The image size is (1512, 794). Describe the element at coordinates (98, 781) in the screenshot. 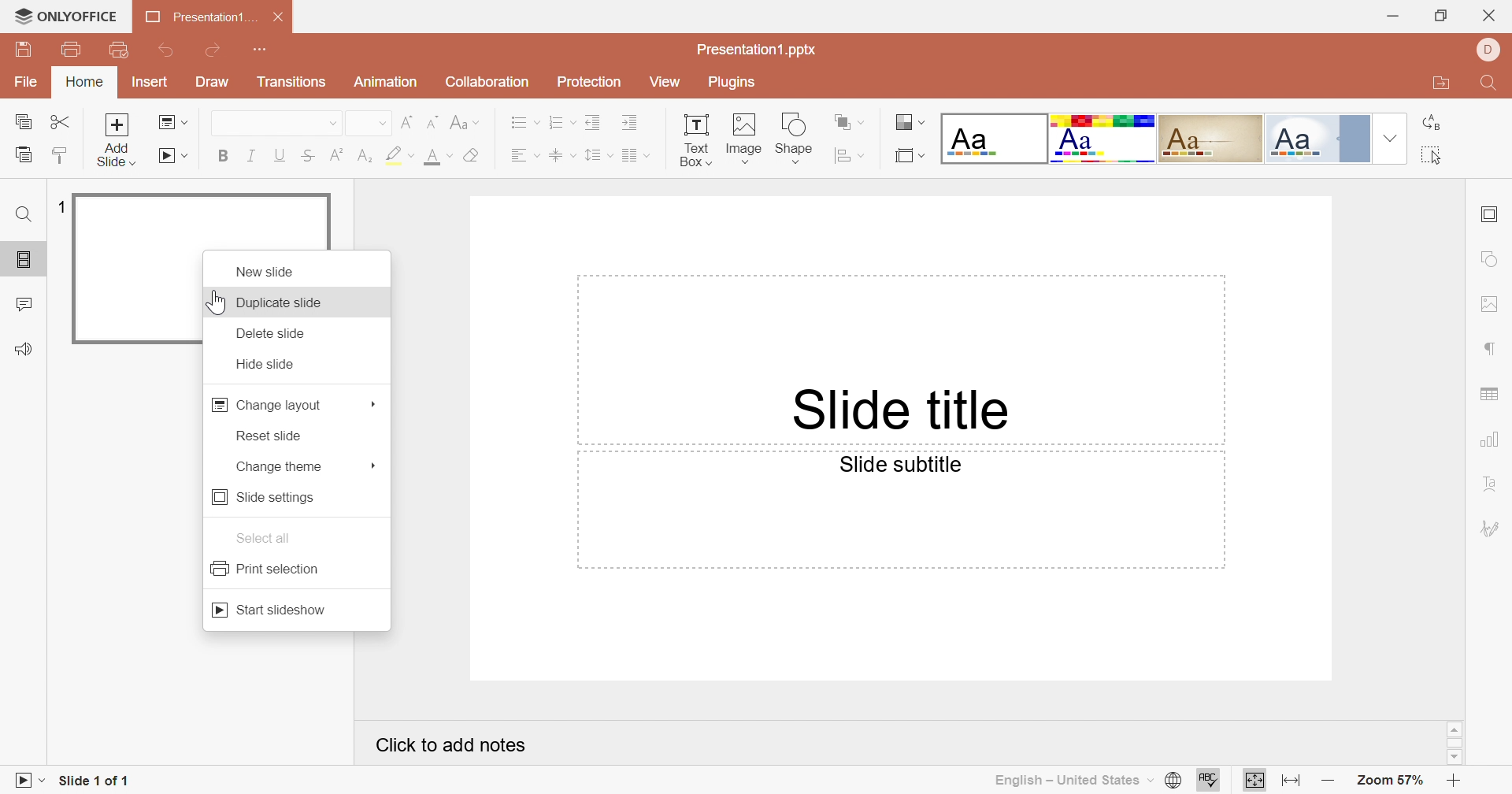

I see `Slide 1 of 1` at that location.